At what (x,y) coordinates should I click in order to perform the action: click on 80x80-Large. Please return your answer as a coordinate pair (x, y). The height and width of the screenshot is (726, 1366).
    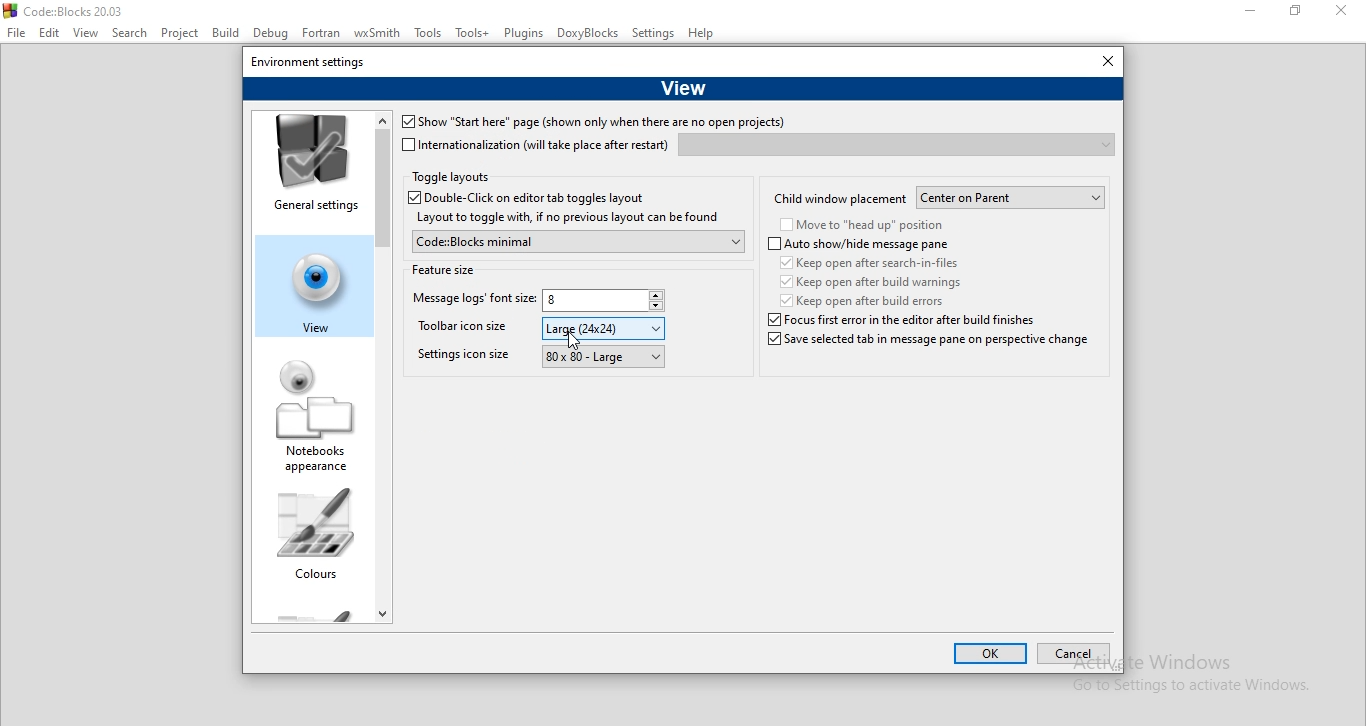
    Looking at the image, I should click on (601, 356).